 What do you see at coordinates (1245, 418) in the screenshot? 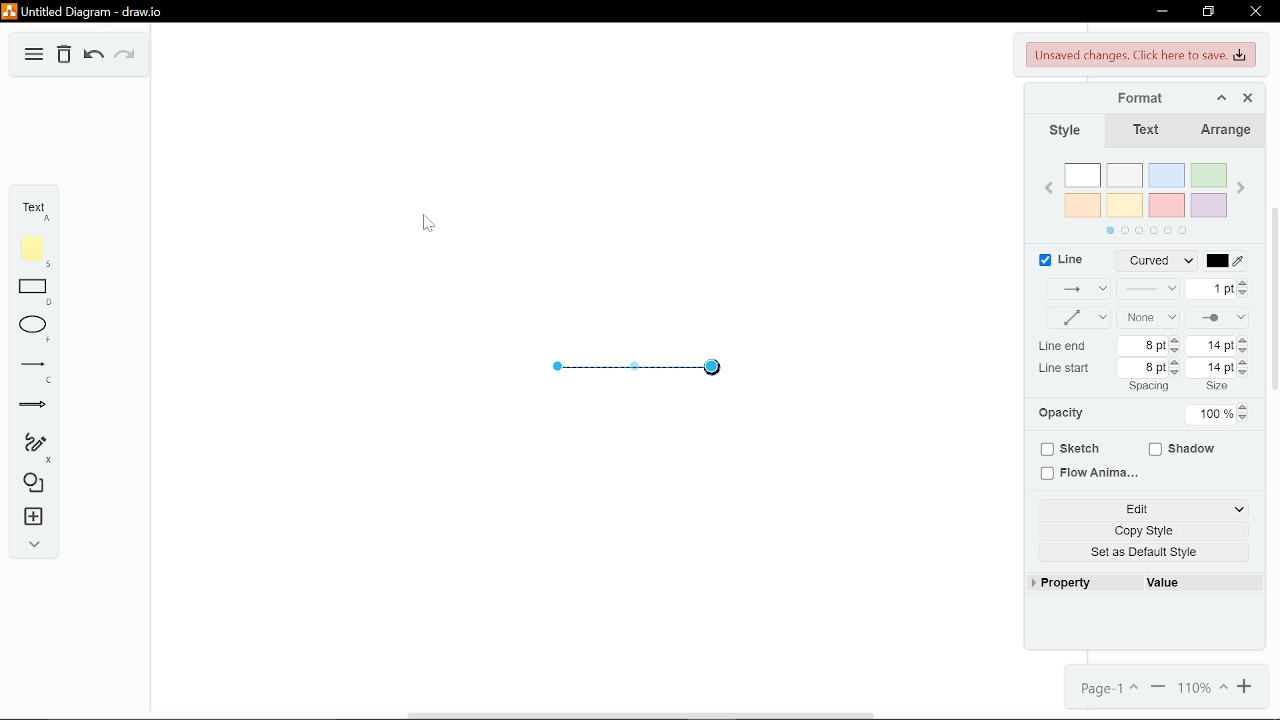
I see `Decrease opacity` at bounding box center [1245, 418].